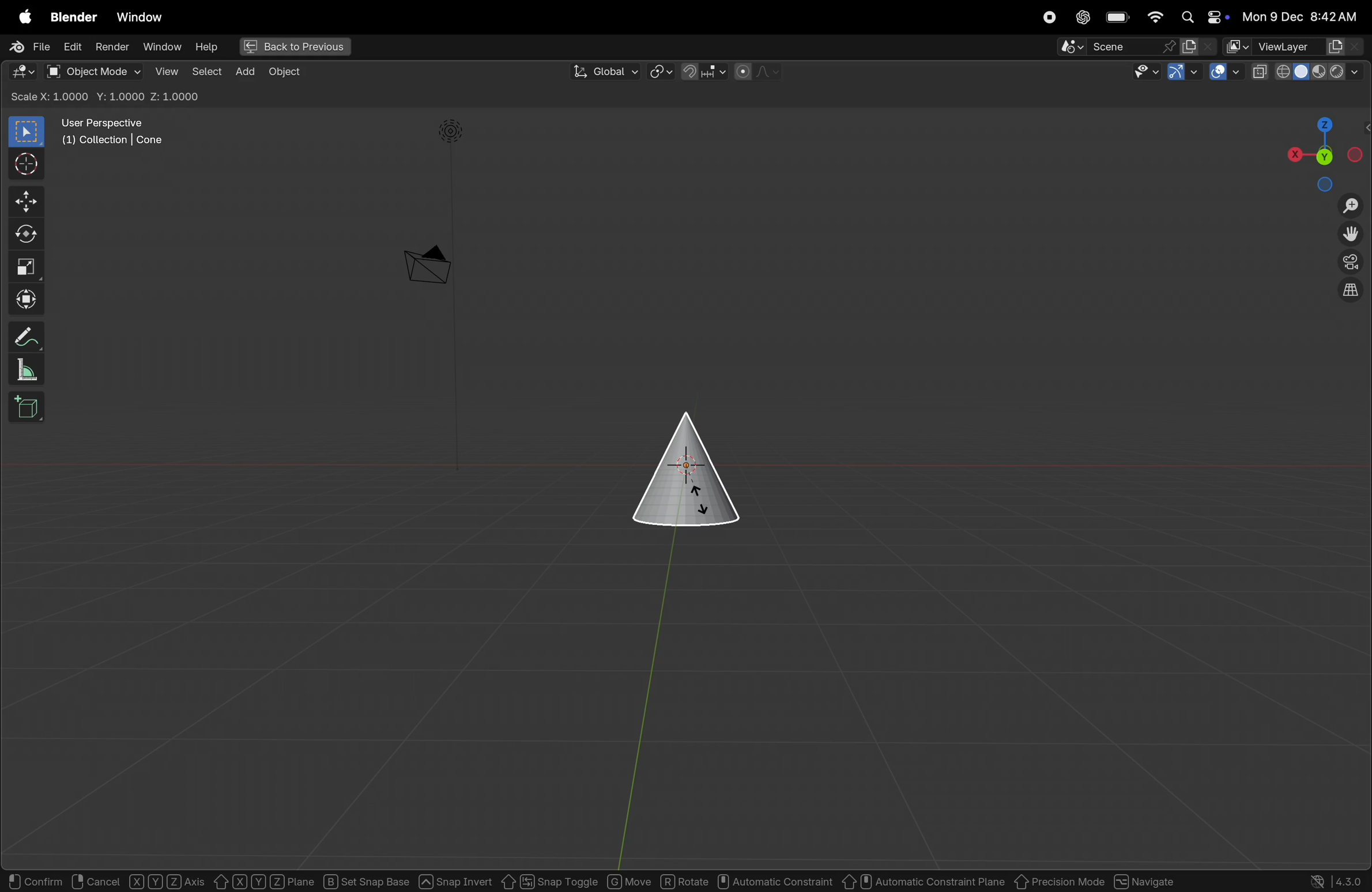 The width and height of the screenshot is (1372, 892). Describe the element at coordinates (1058, 880) in the screenshot. I see `Previous mode` at that location.